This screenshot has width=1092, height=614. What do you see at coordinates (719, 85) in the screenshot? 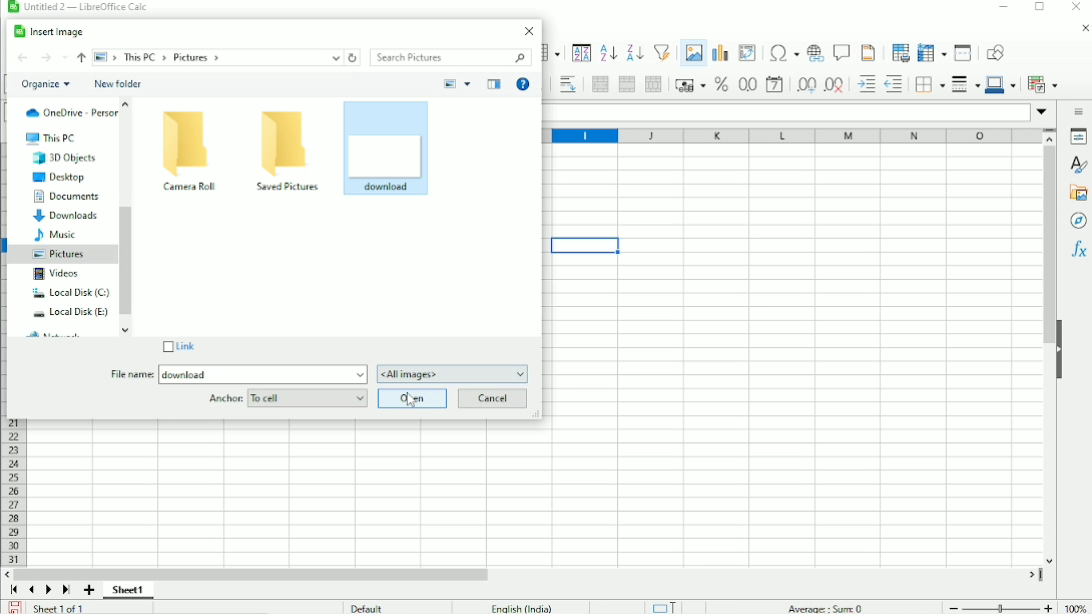
I see `Format as percent` at bounding box center [719, 85].